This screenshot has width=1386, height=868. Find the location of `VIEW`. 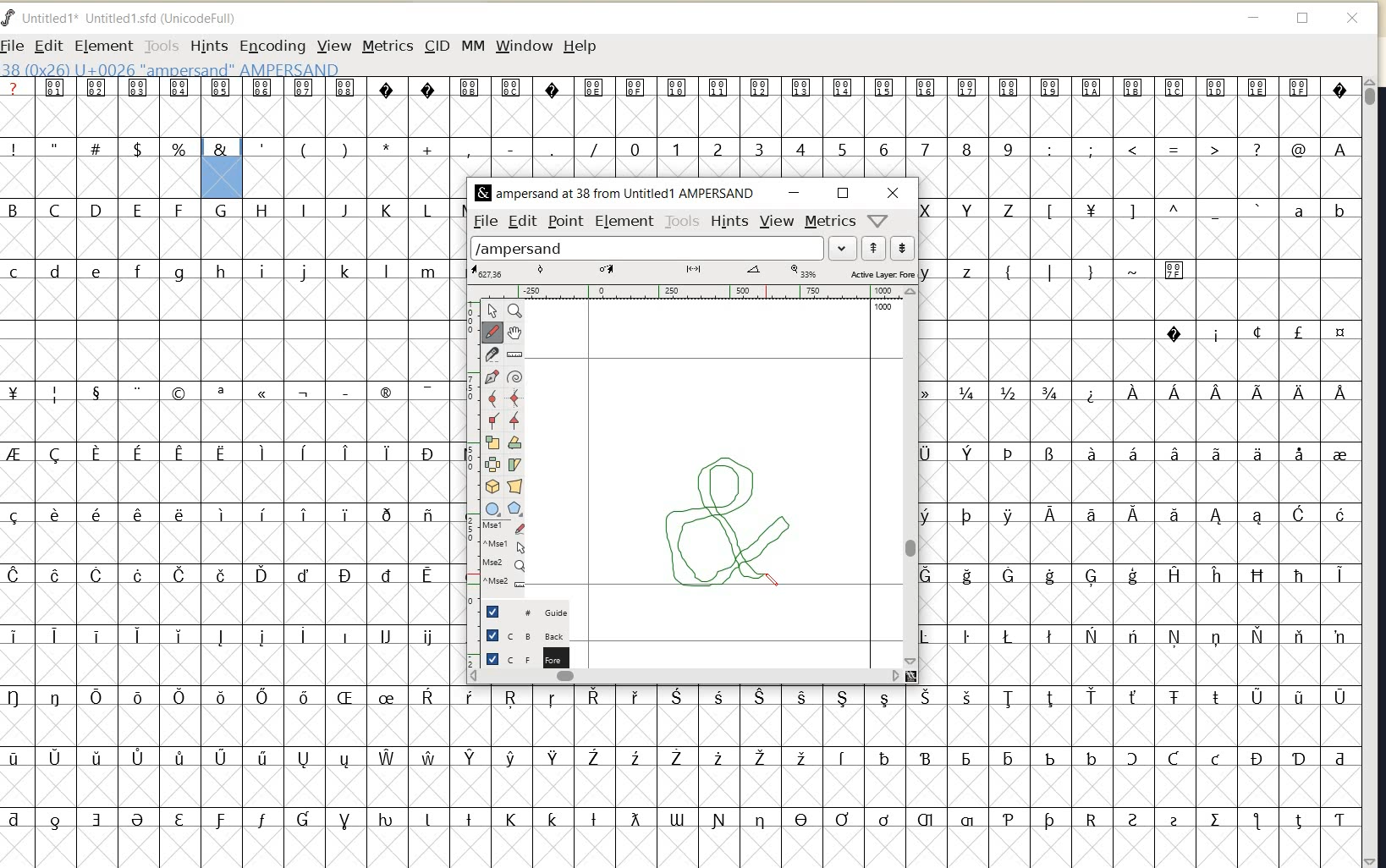

VIEW is located at coordinates (778, 222).